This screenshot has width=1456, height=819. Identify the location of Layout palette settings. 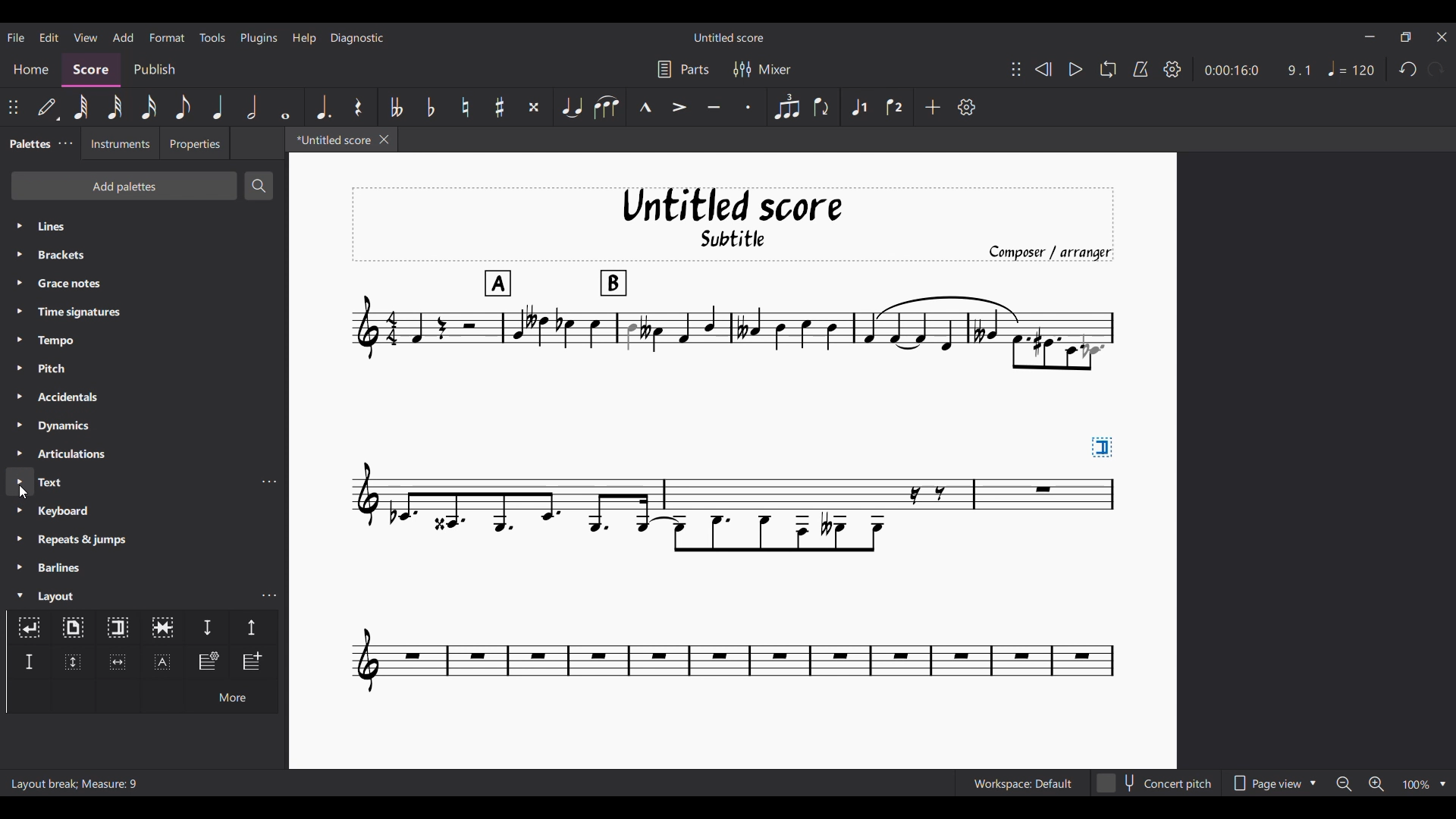
(269, 595).